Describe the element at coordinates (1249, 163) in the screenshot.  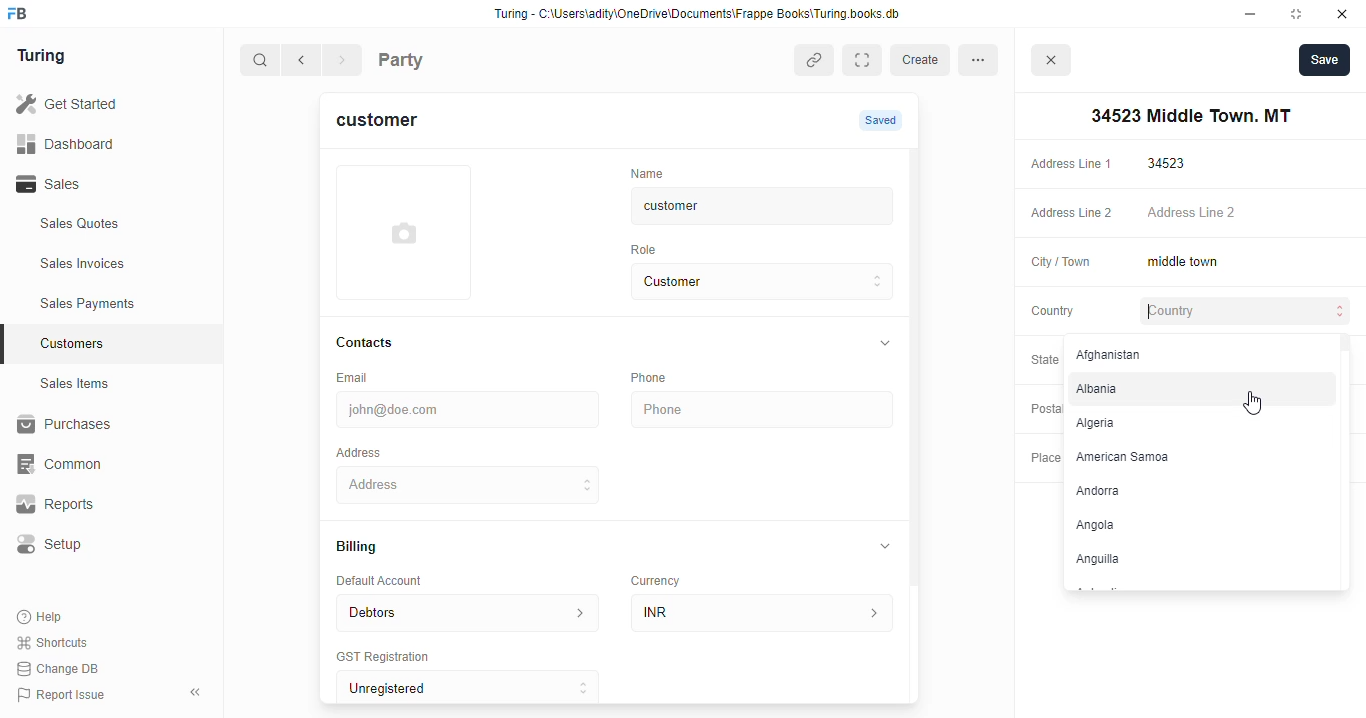
I see `34523` at that location.